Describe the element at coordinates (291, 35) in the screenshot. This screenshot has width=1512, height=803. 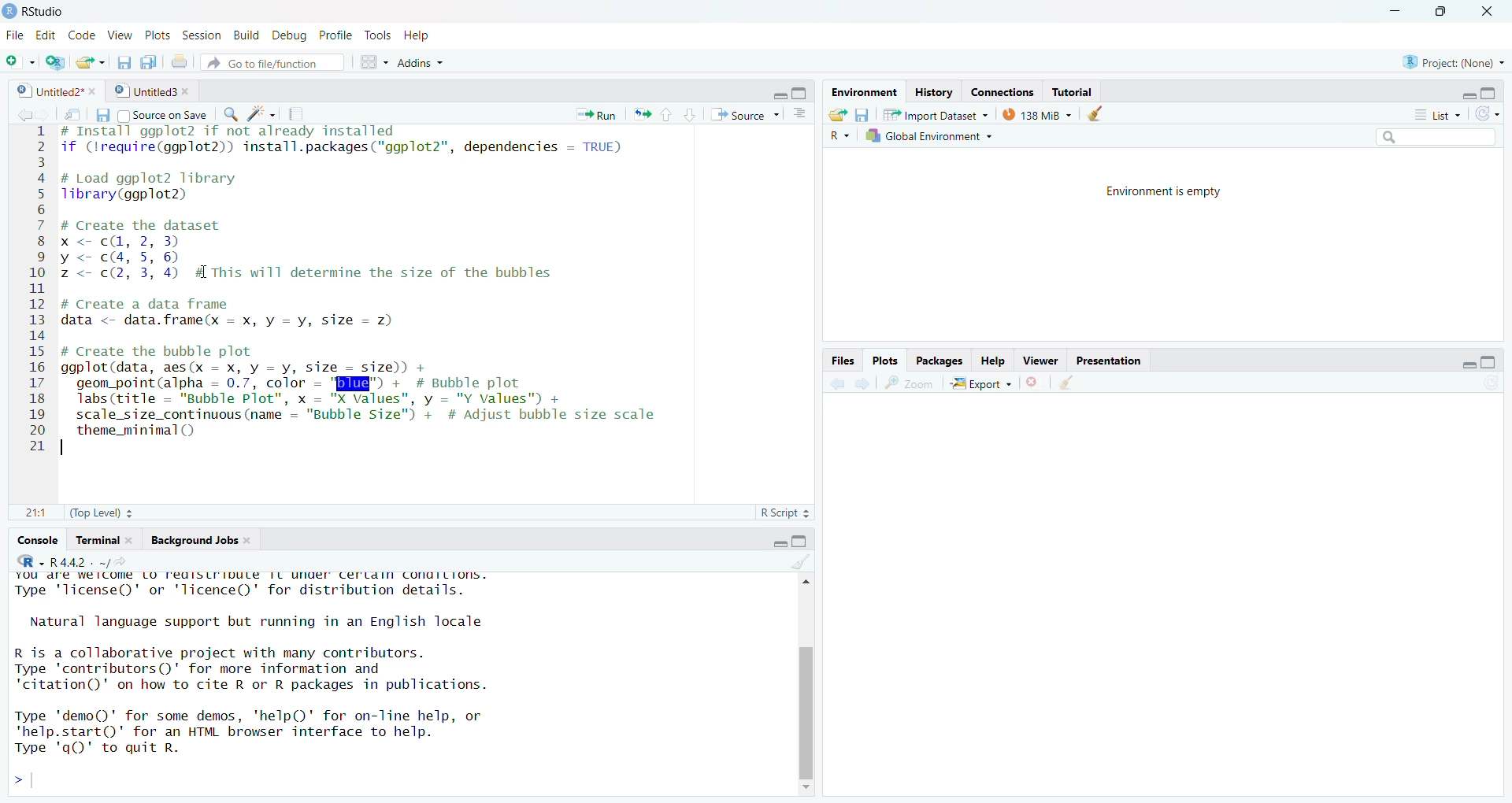
I see `Debug` at that location.